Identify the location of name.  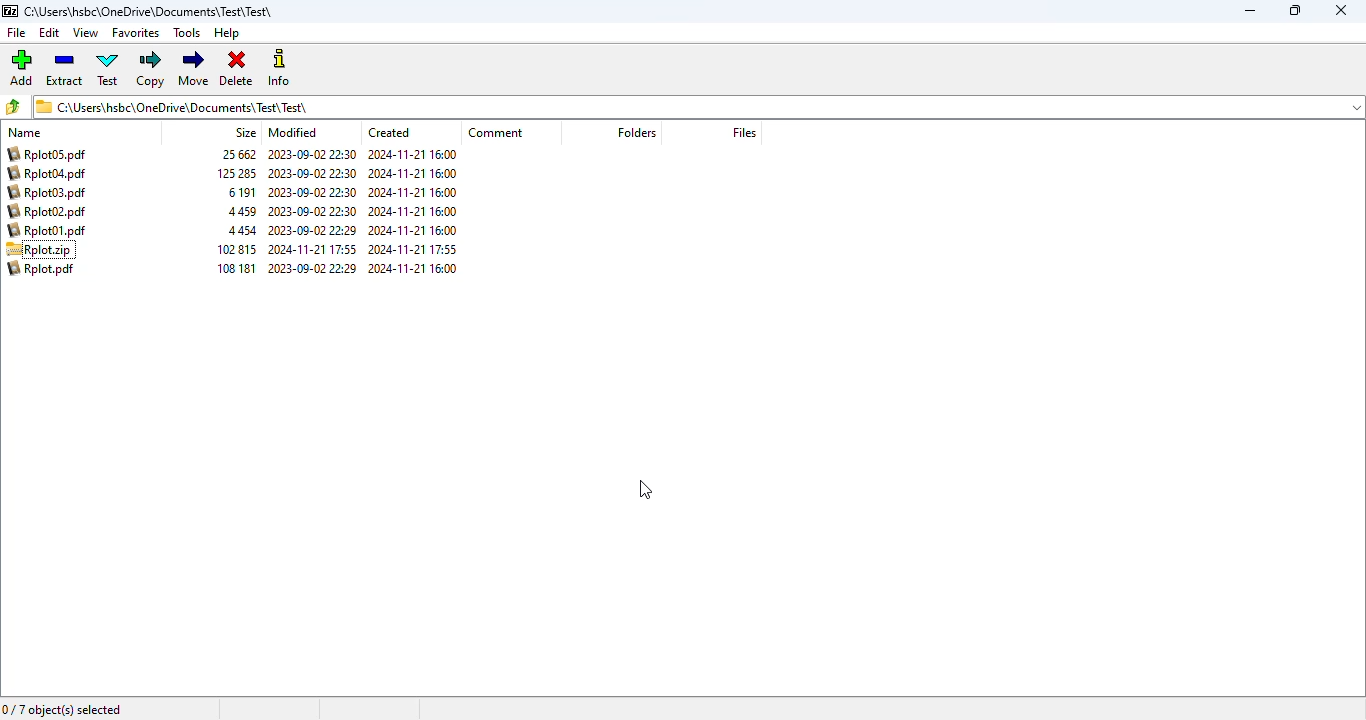
(24, 133).